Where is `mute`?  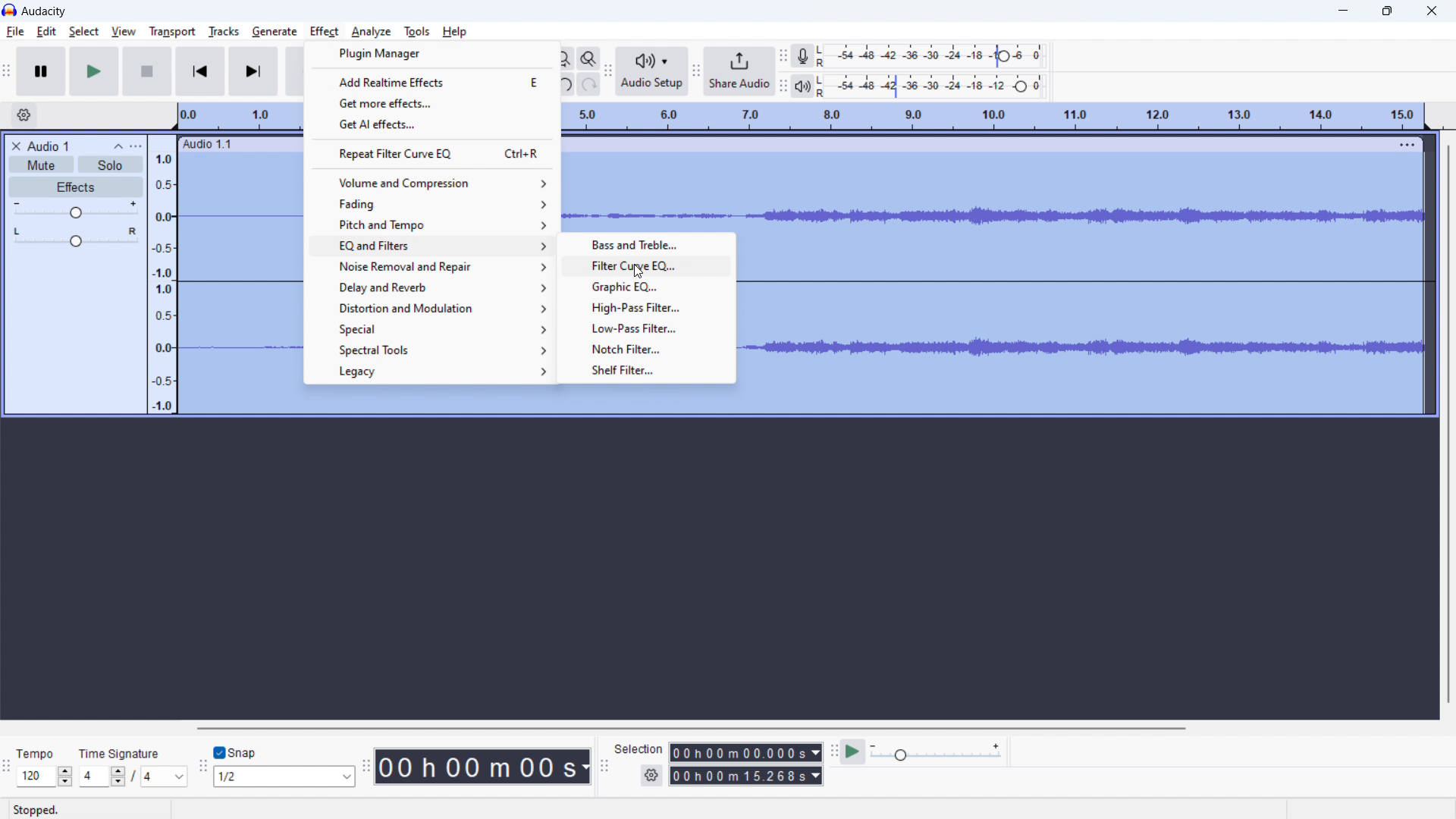
mute is located at coordinates (41, 164).